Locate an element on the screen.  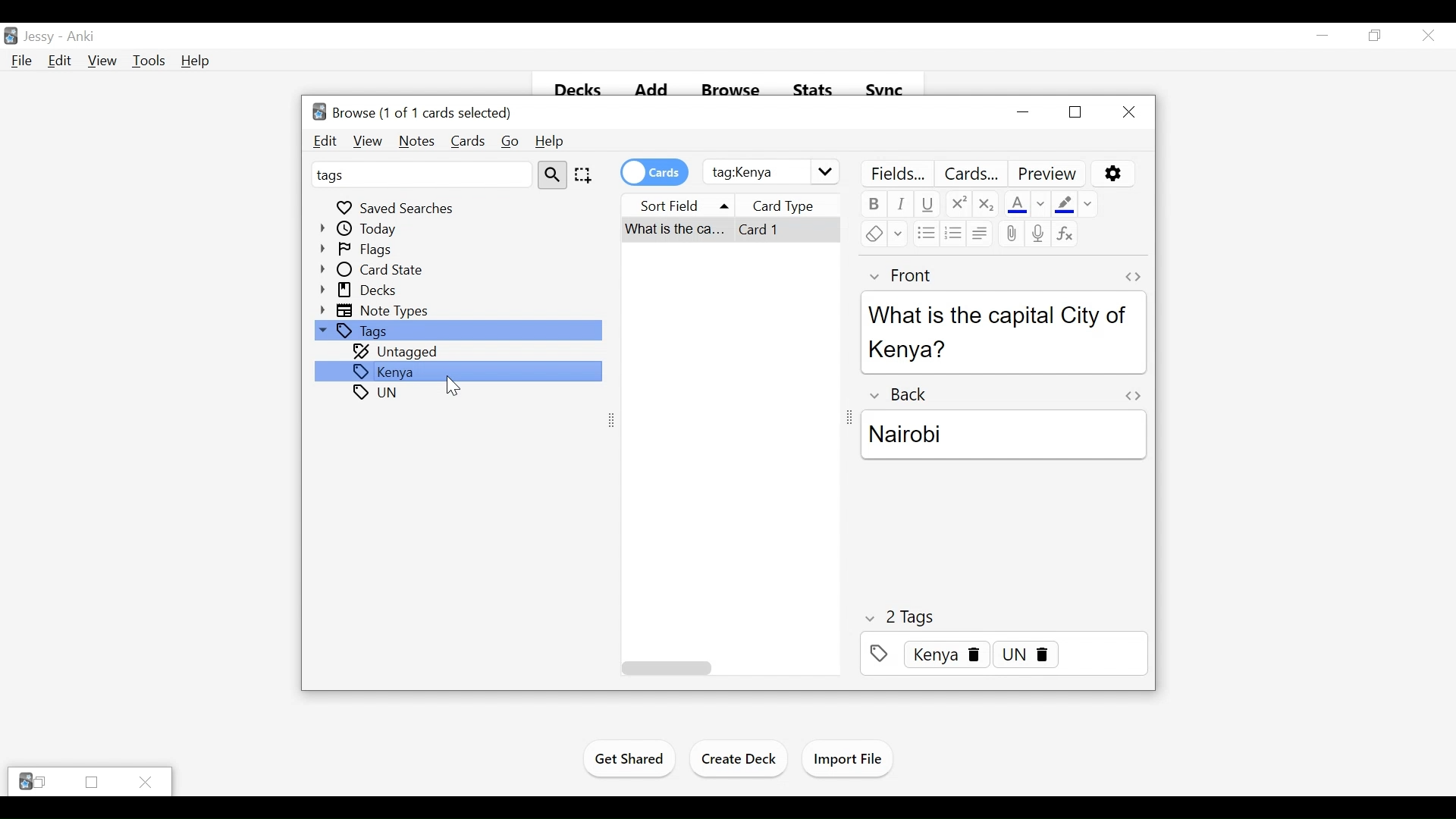
Get Shared is located at coordinates (629, 761).